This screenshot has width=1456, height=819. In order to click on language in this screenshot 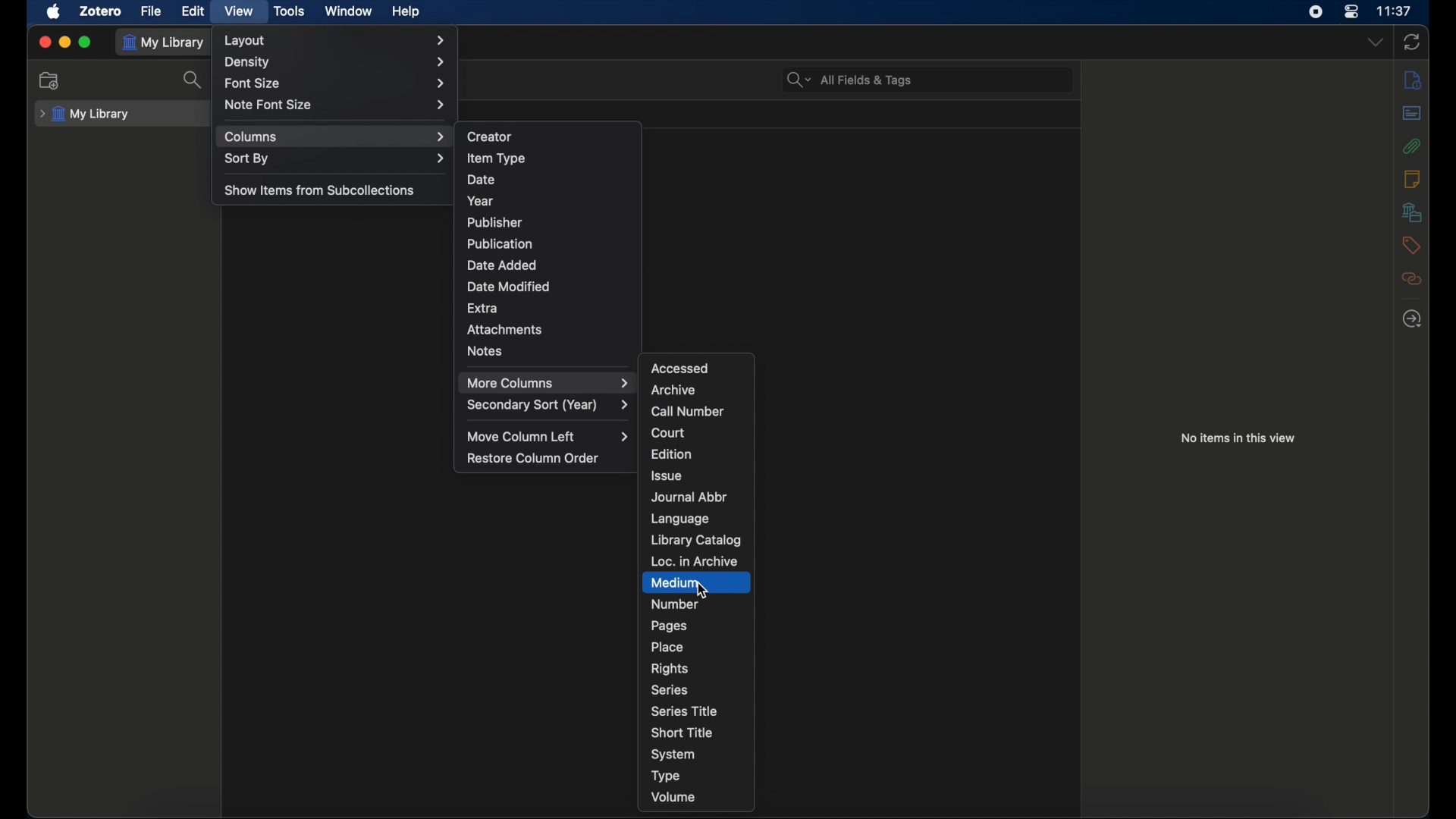, I will do `click(679, 519)`.